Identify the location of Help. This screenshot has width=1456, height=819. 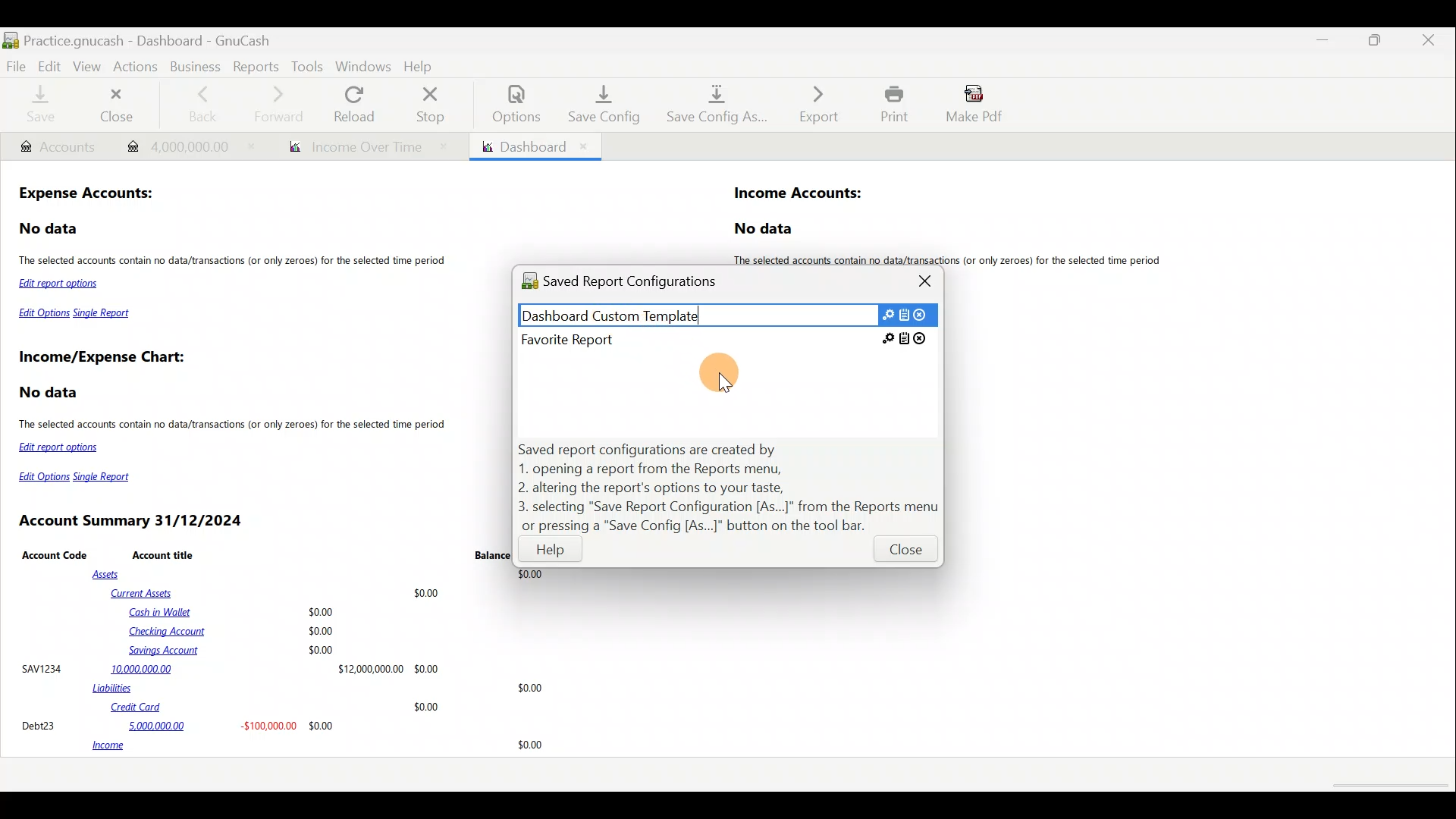
(551, 553).